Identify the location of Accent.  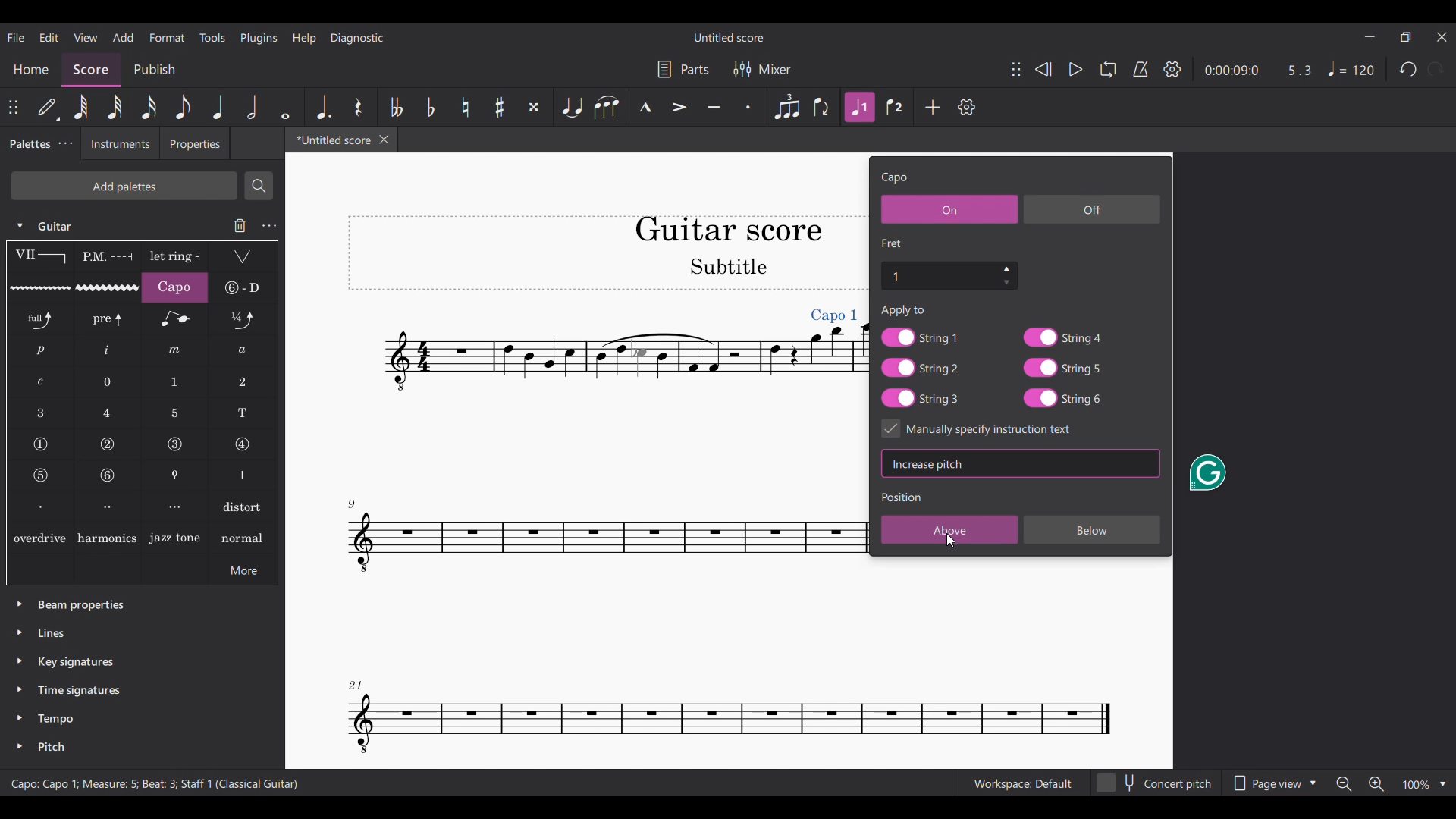
(679, 107).